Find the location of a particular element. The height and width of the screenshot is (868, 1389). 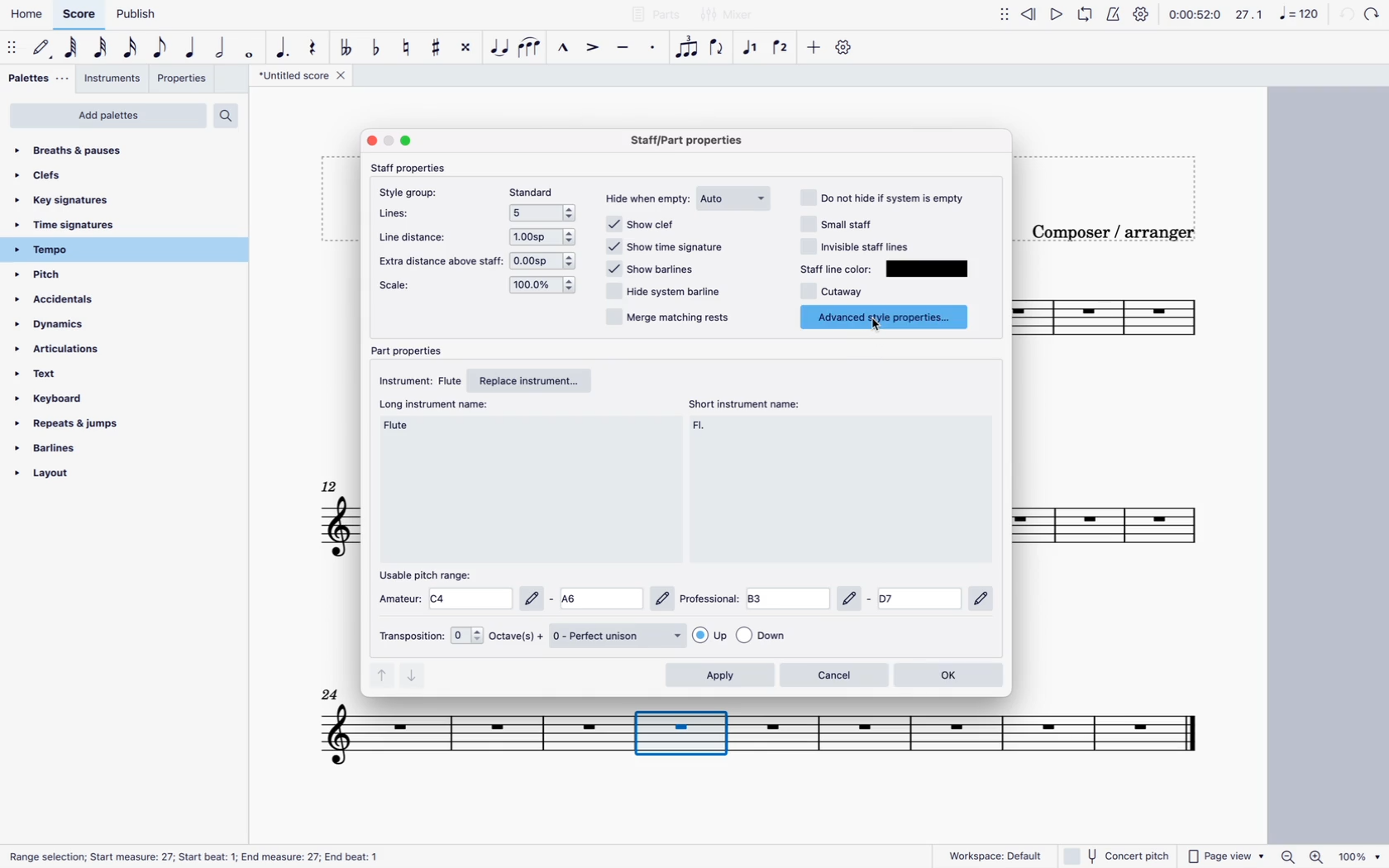

show time signature is located at coordinates (664, 247).